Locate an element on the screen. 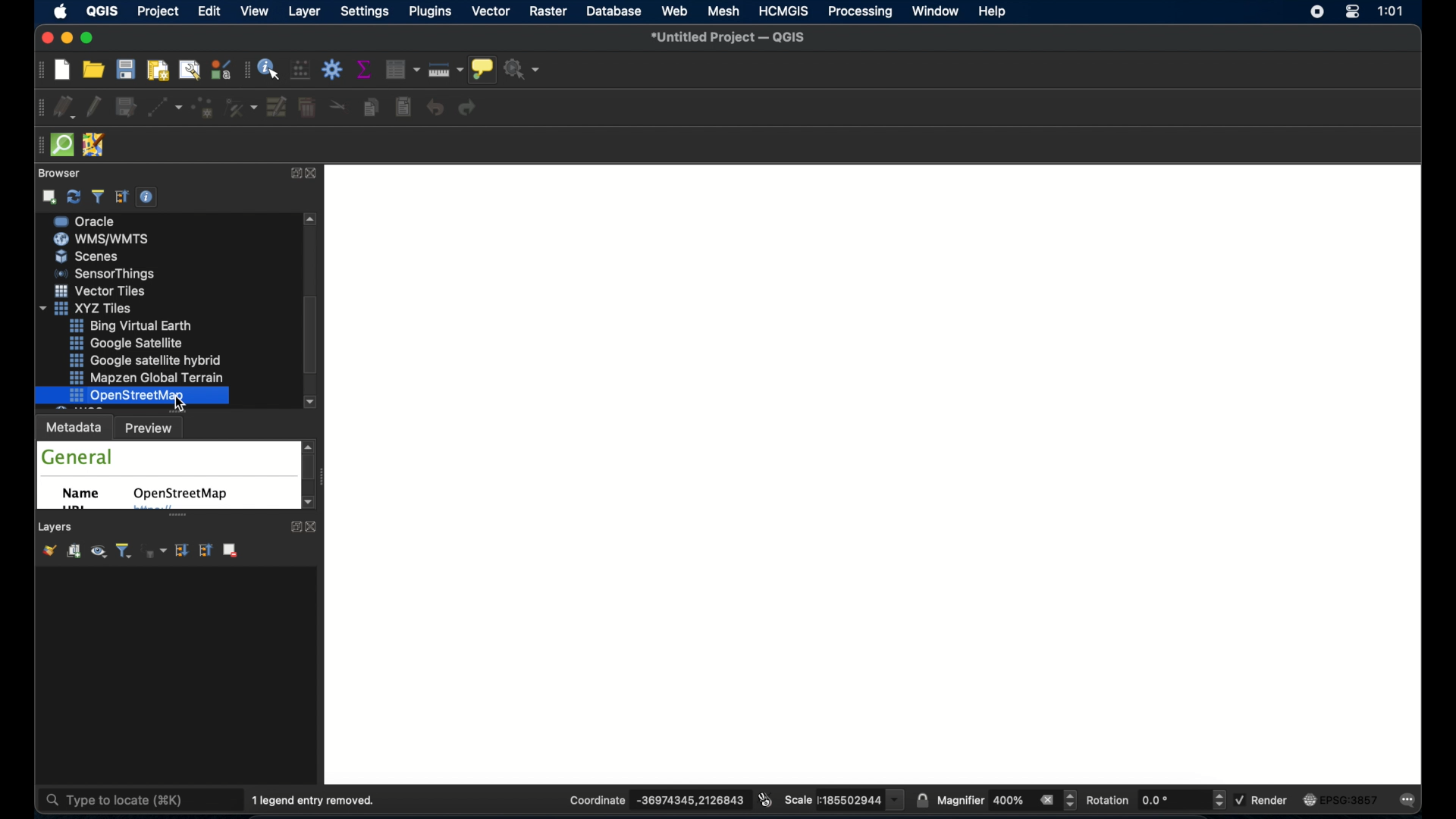 The width and height of the screenshot is (1456, 819). 1 legend entry removed is located at coordinates (314, 801).